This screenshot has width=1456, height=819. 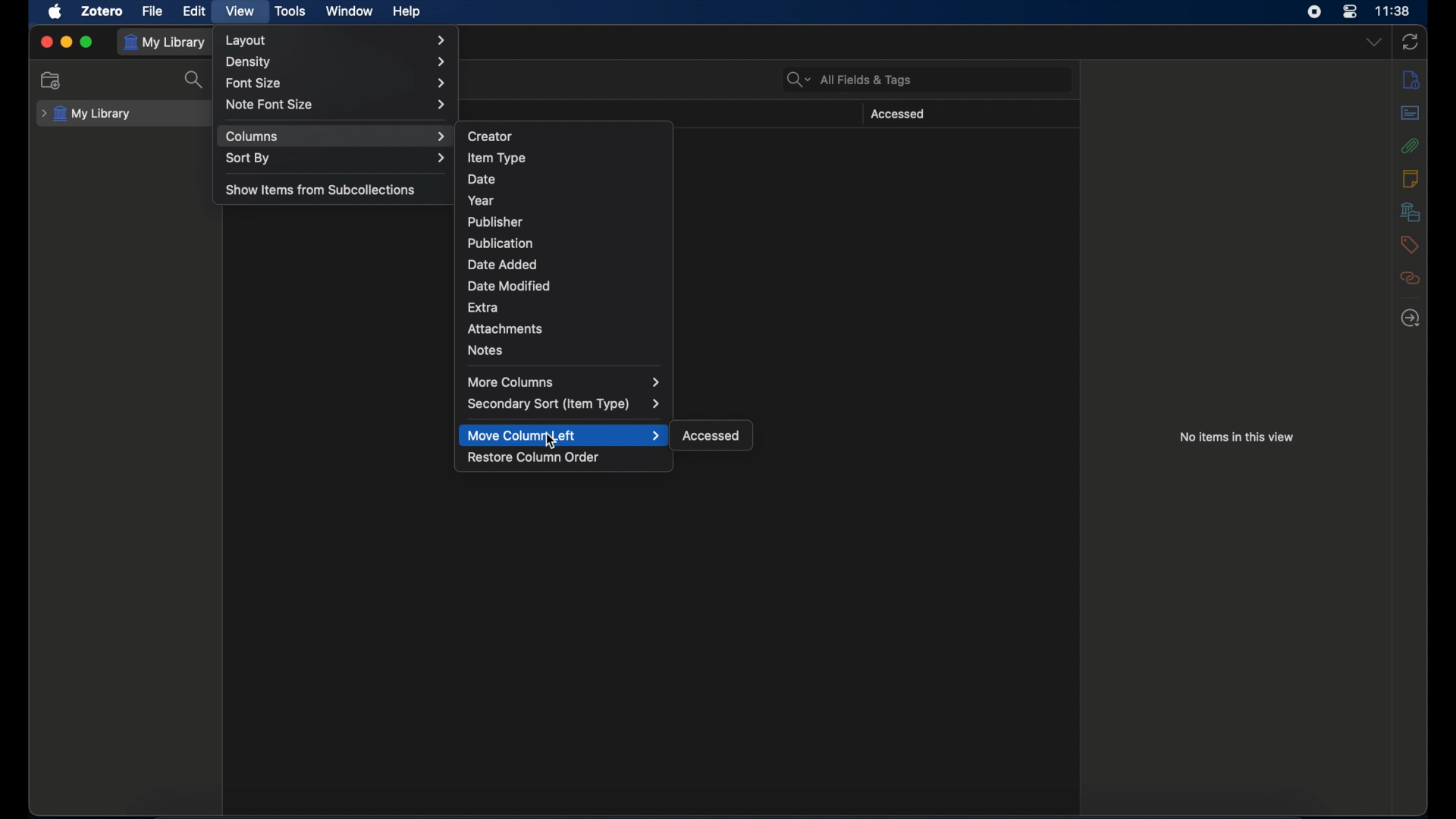 I want to click on help, so click(x=408, y=12).